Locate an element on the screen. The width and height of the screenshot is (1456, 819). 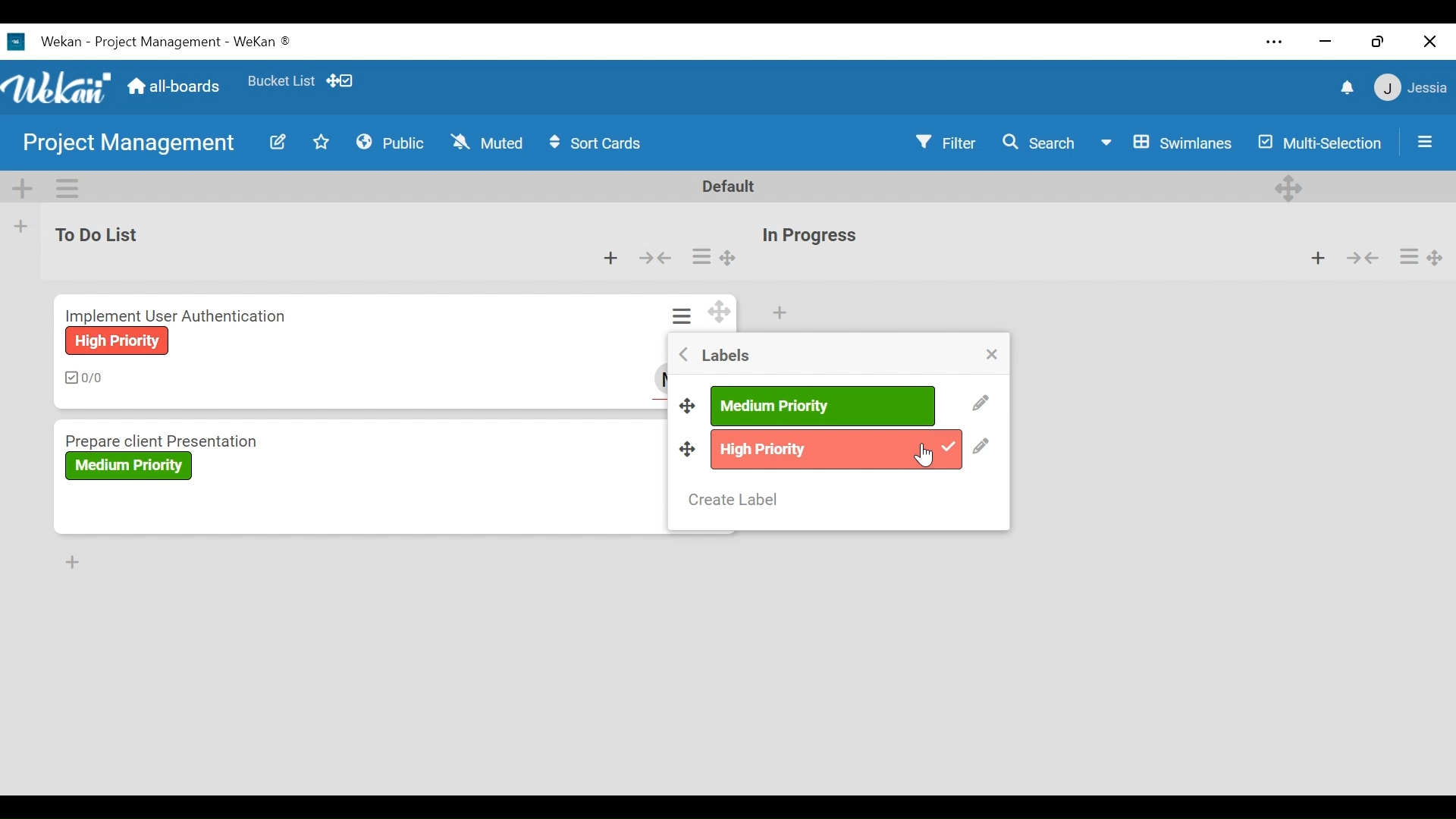
Wekan Desktop Icon is located at coordinates (156, 40).